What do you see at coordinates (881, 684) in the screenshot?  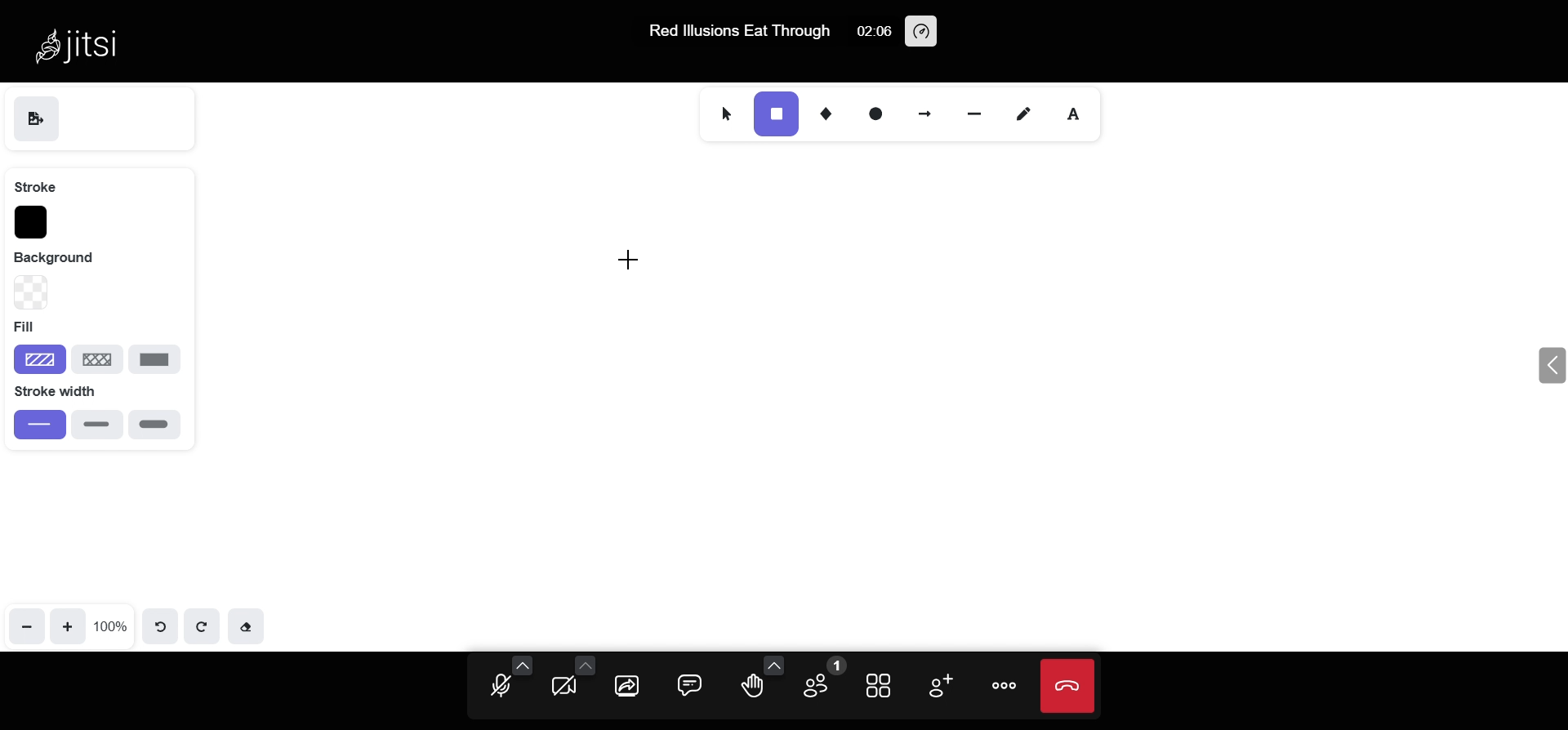 I see `tile view` at bounding box center [881, 684].